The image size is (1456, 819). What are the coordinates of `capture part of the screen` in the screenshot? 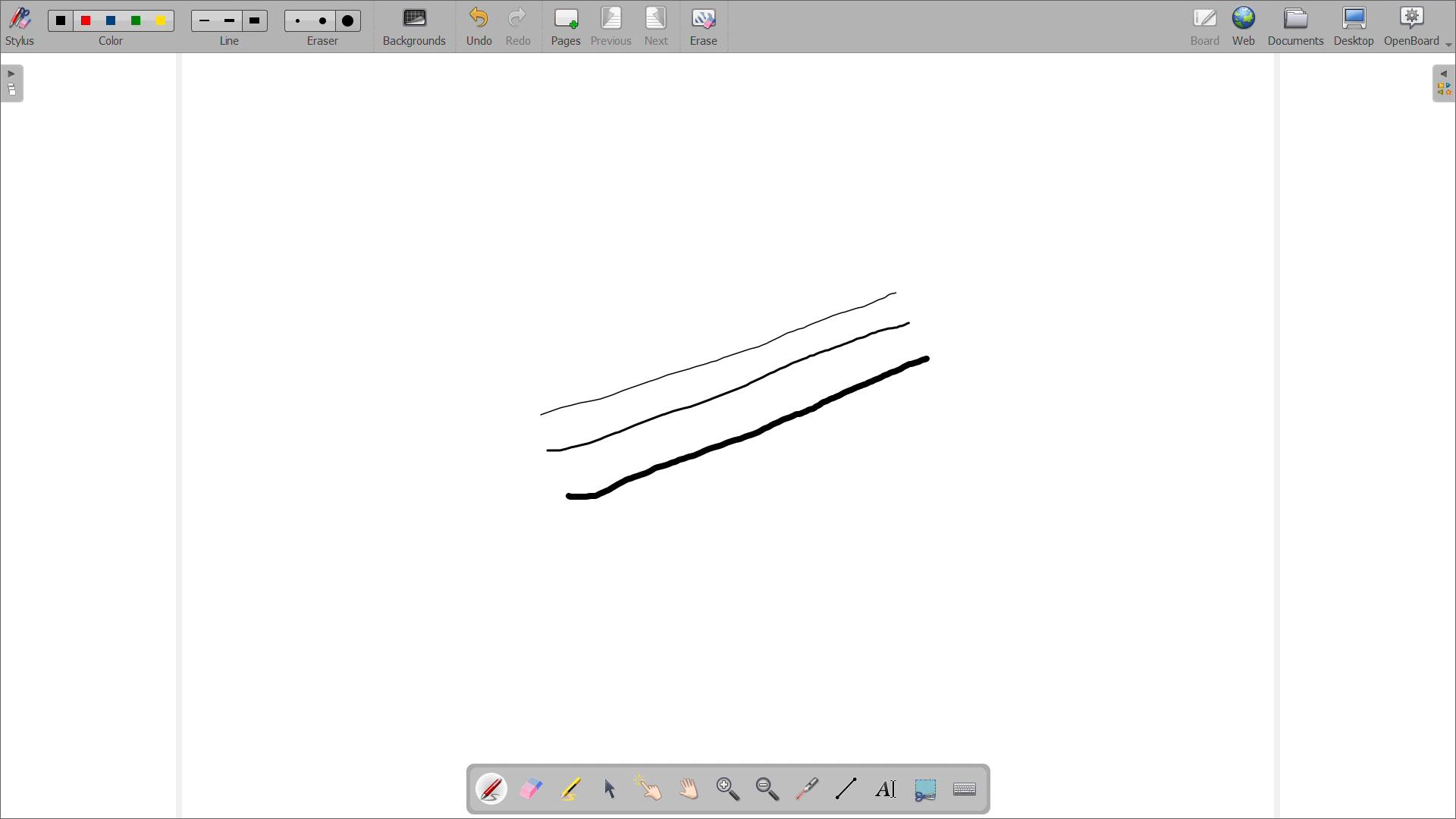 It's located at (926, 789).